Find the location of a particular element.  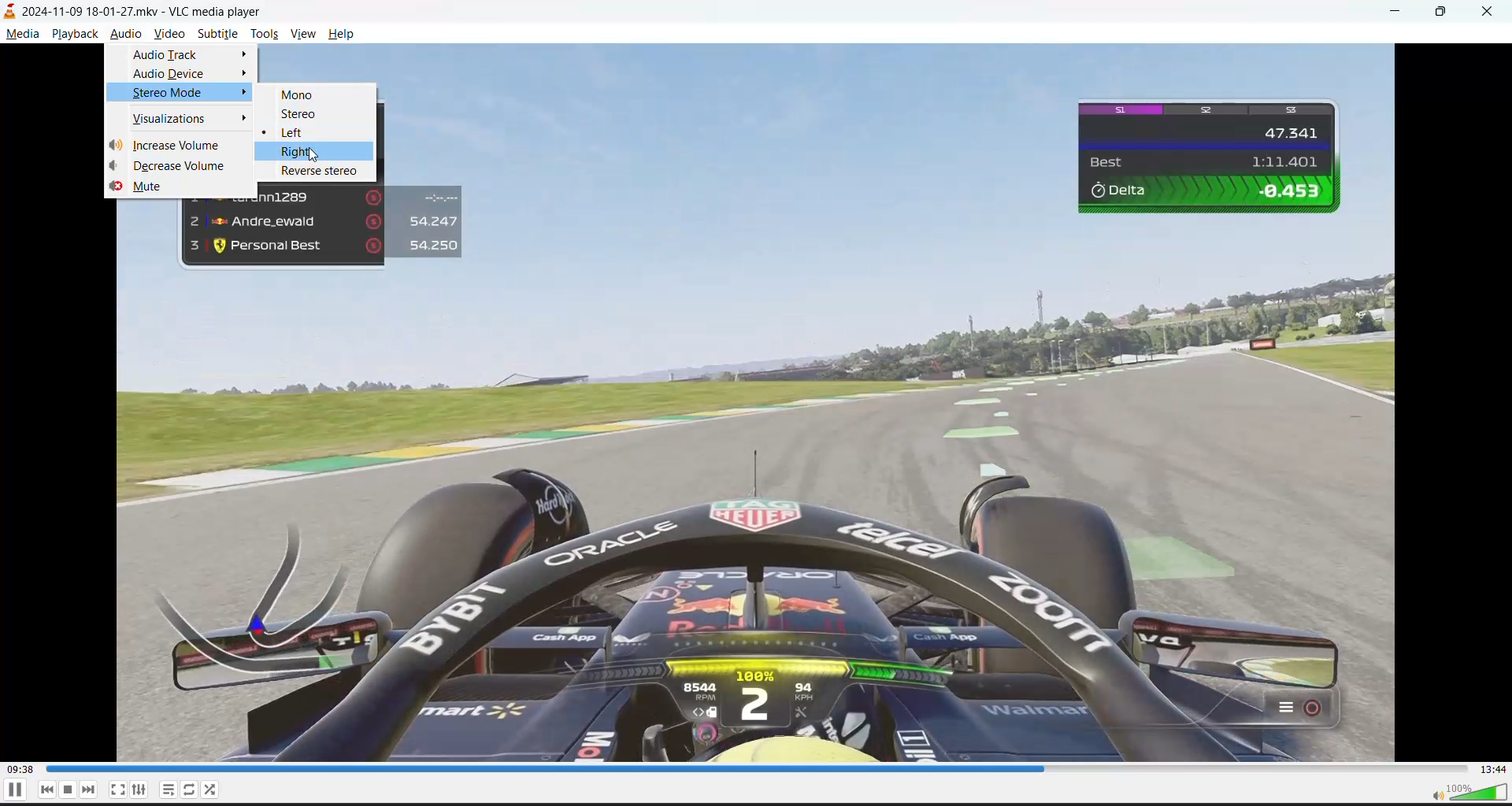

stereo mode is located at coordinates (171, 93).